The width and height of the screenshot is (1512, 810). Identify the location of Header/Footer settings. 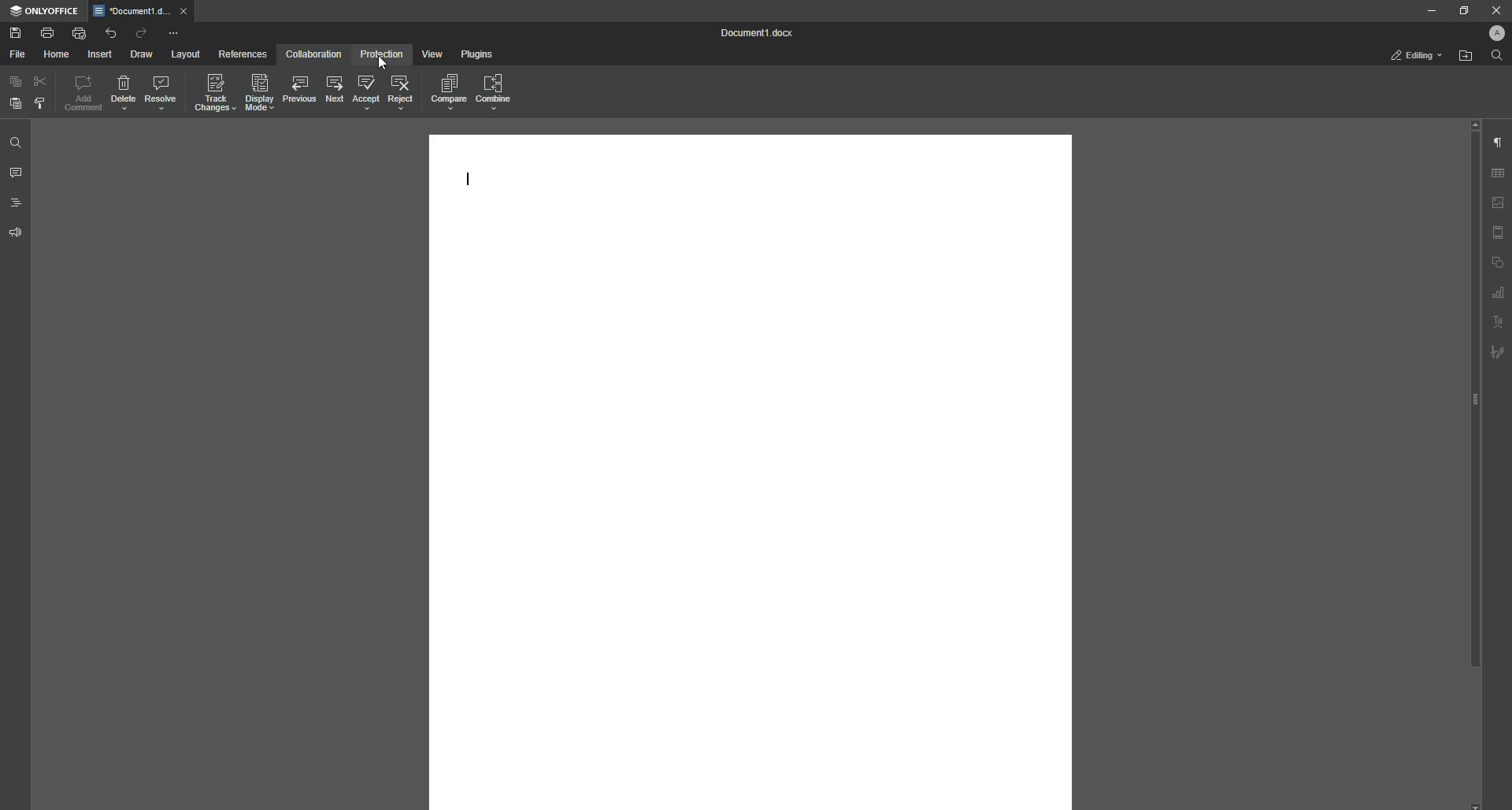
(1499, 232).